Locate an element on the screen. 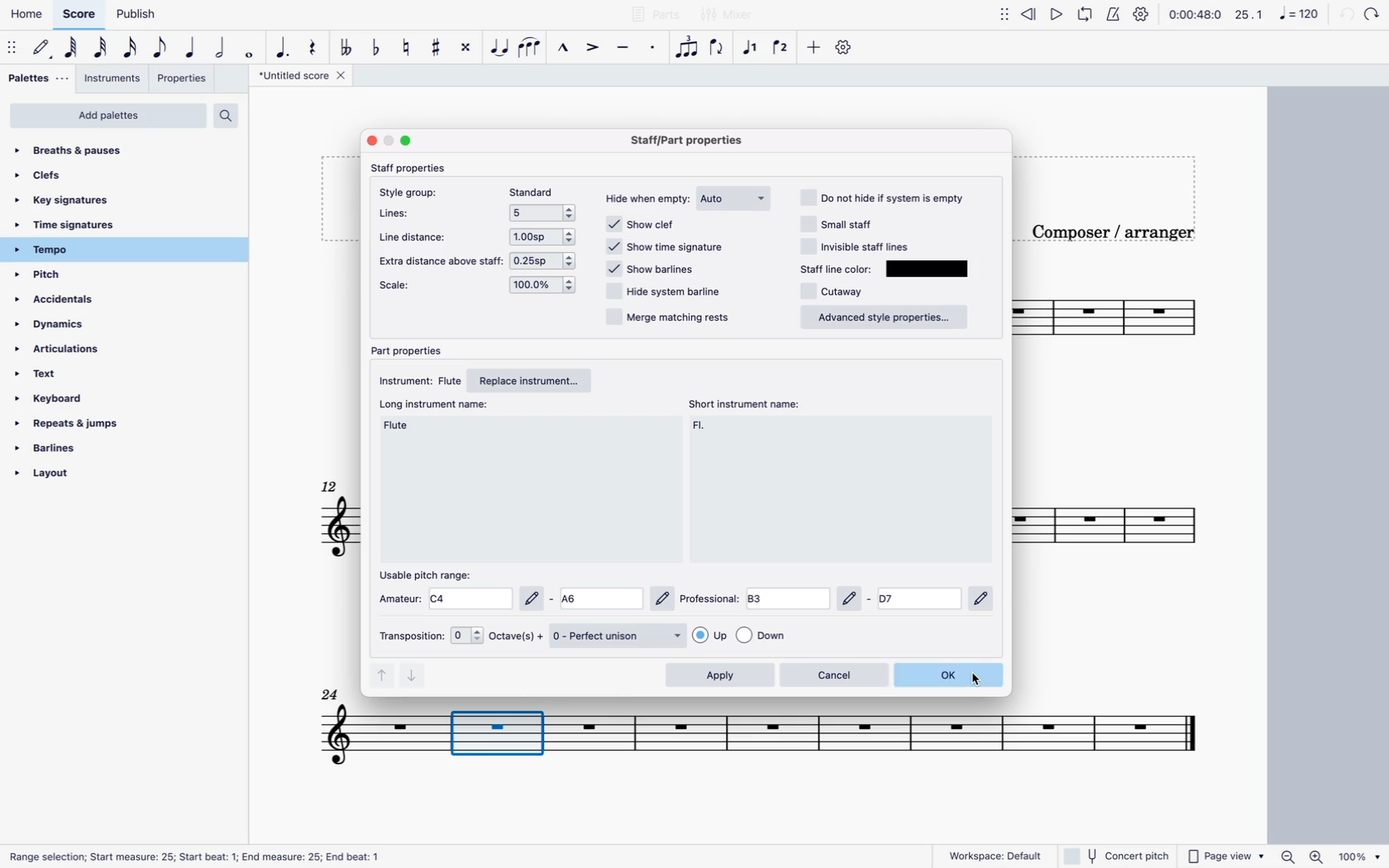  options is located at coordinates (548, 286).